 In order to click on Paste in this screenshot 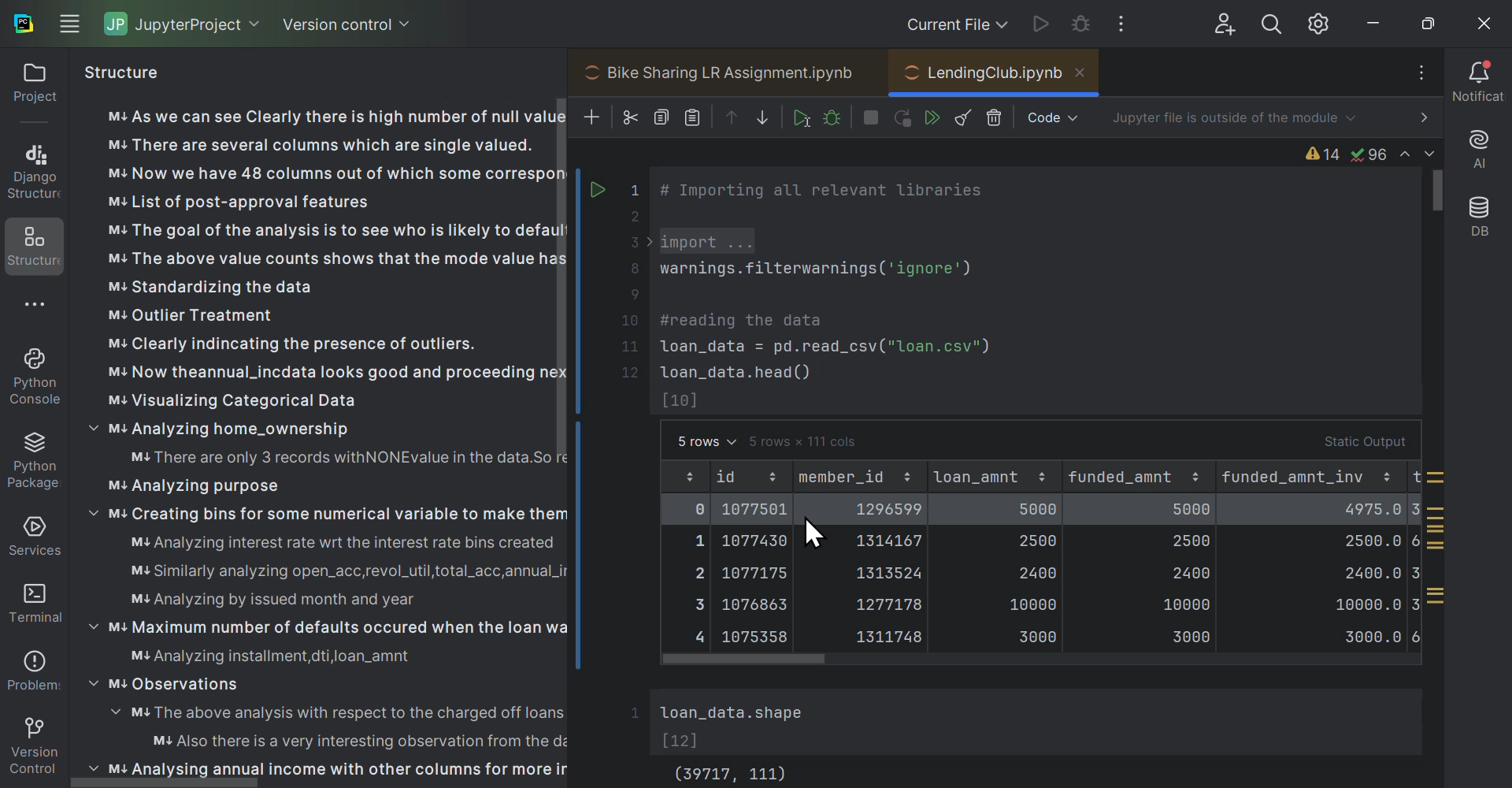, I will do `click(695, 120)`.